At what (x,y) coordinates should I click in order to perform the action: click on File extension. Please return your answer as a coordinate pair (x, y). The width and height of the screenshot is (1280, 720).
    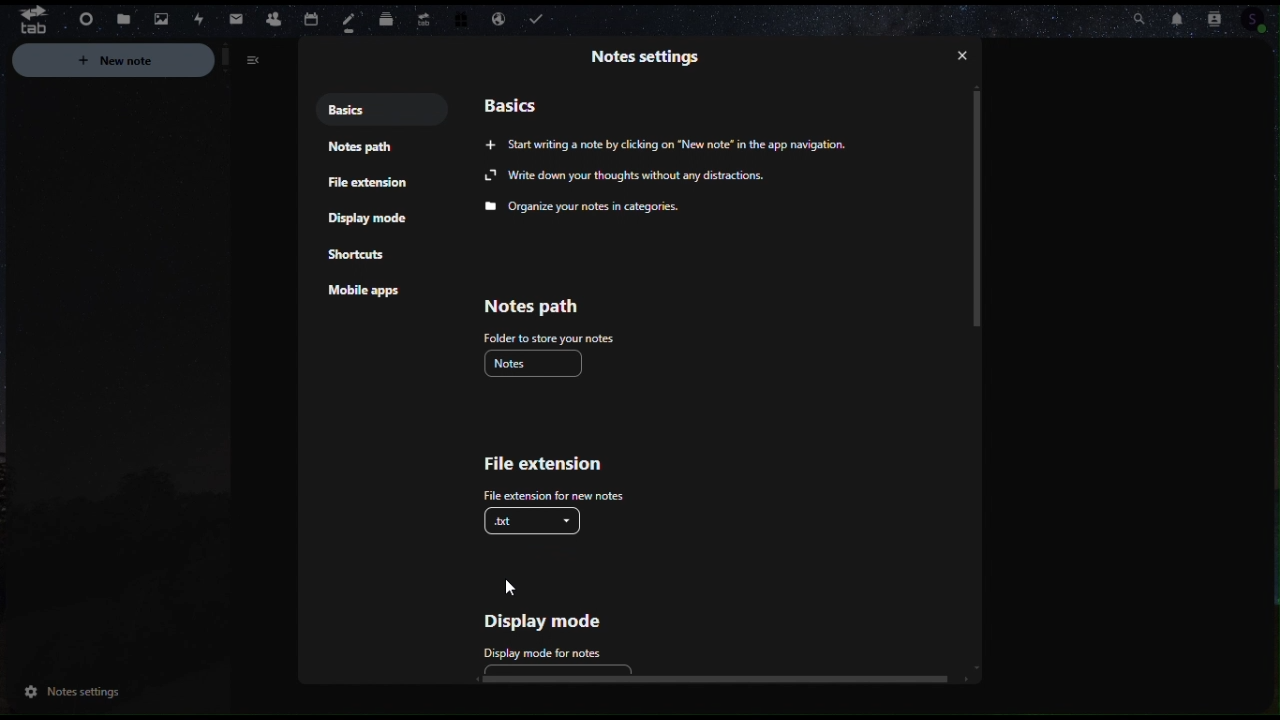
    Looking at the image, I should click on (547, 467).